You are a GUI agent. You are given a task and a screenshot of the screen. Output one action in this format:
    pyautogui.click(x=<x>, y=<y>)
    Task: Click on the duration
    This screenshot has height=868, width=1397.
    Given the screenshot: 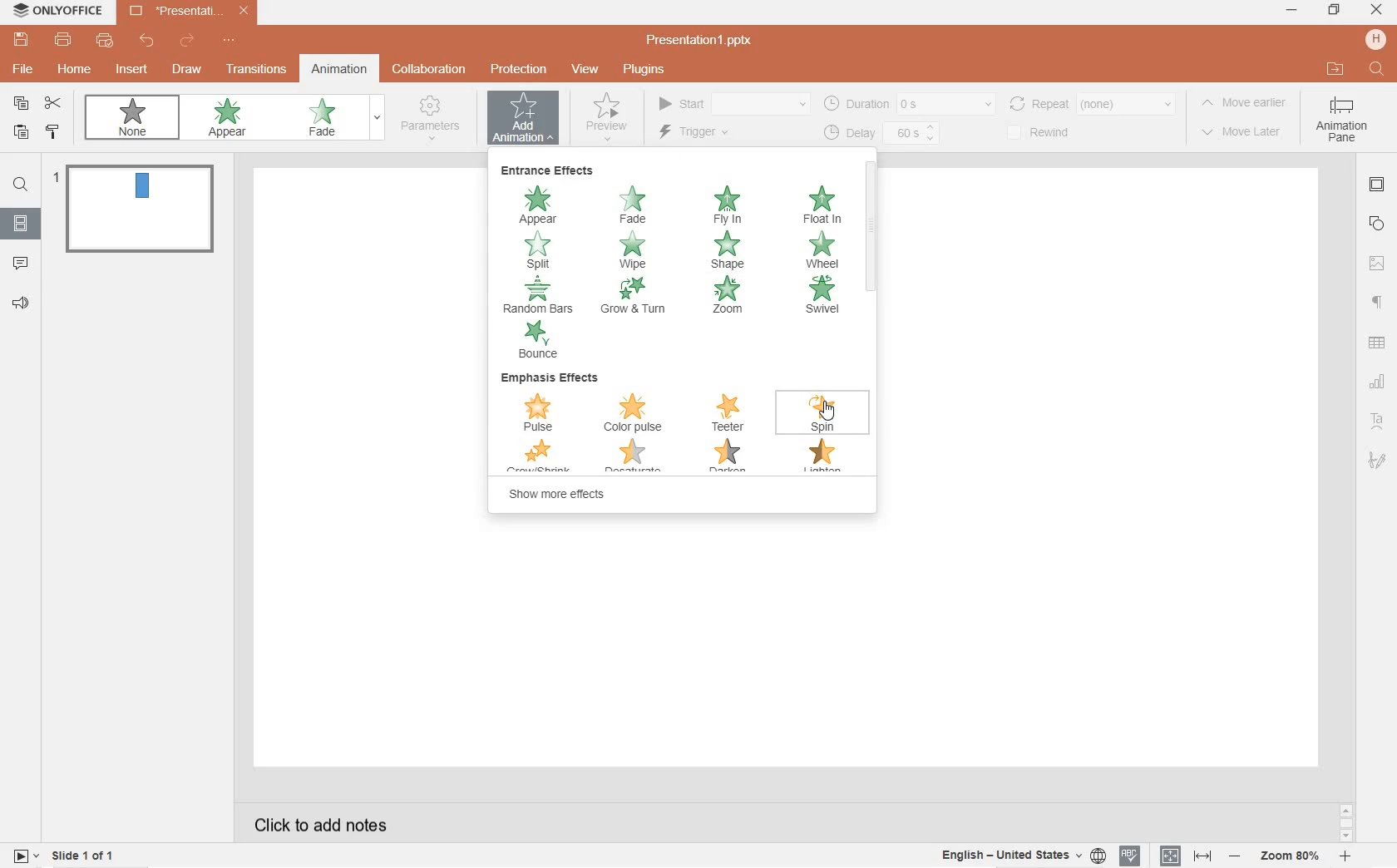 What is the action you would take?
    pyautogui.click(x=909, y=103)
    